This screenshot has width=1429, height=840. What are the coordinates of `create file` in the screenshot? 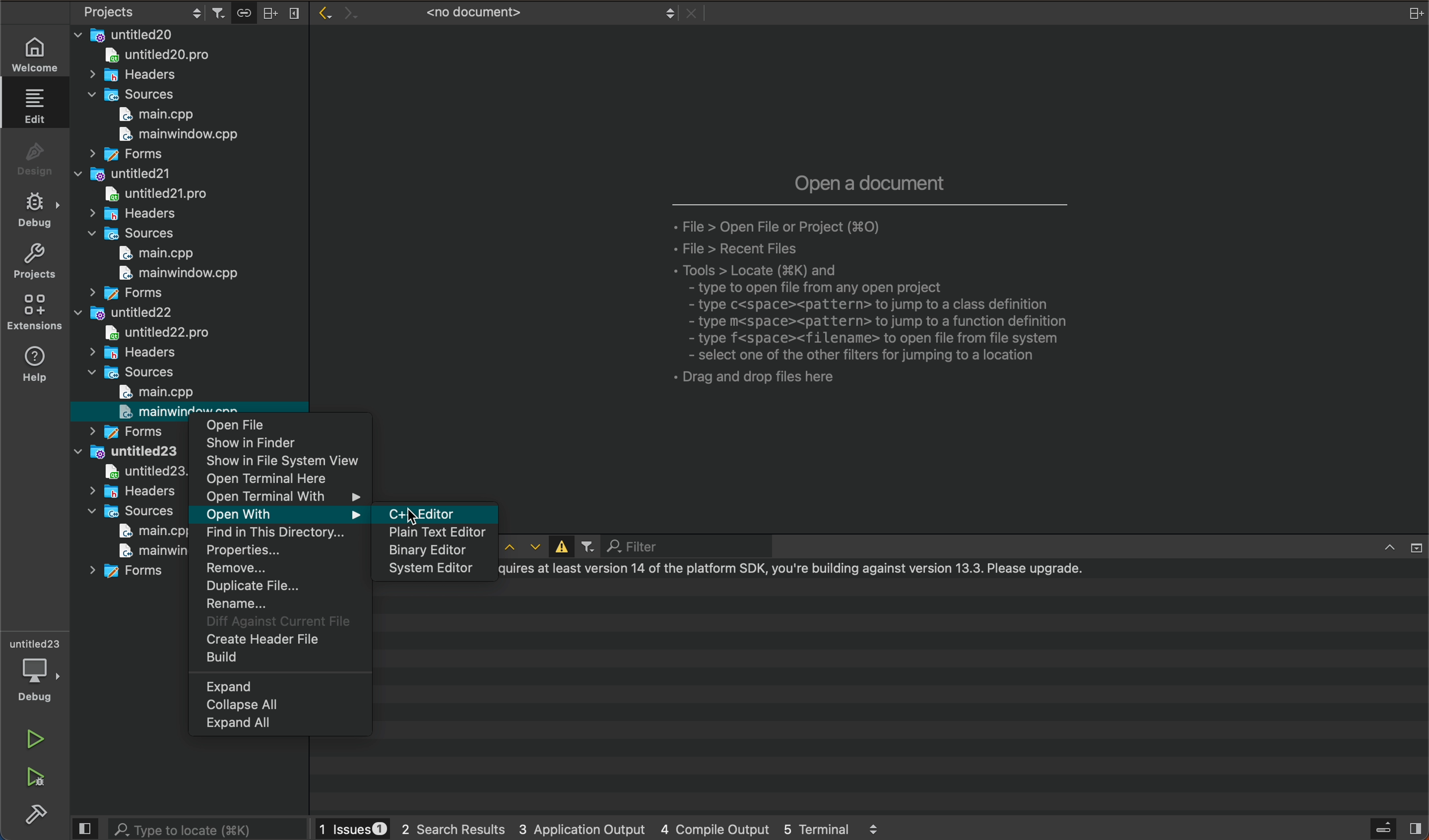 It's located at (277, 640).